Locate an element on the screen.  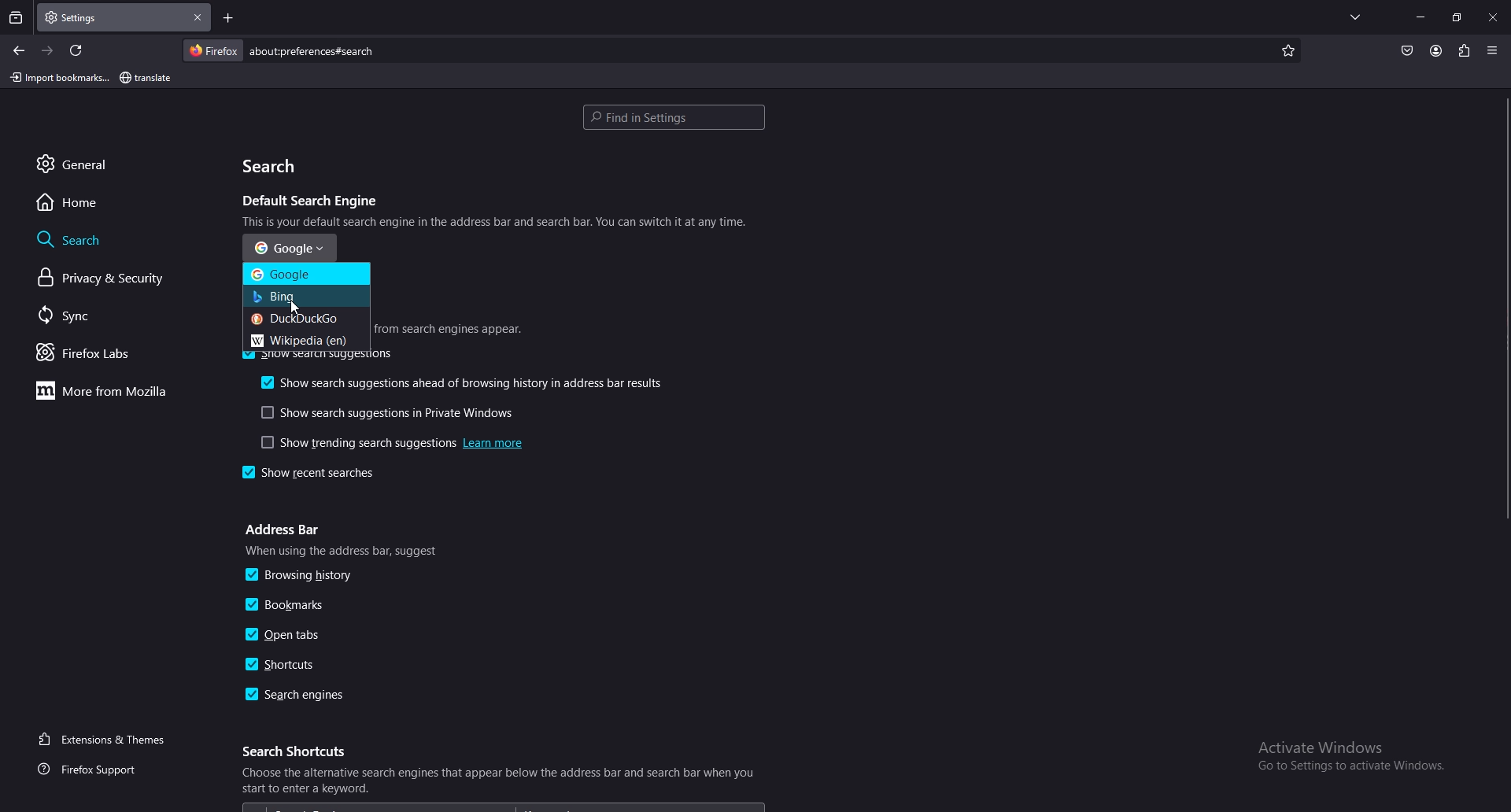
scroll bar is located at coordinates (1502, 305).